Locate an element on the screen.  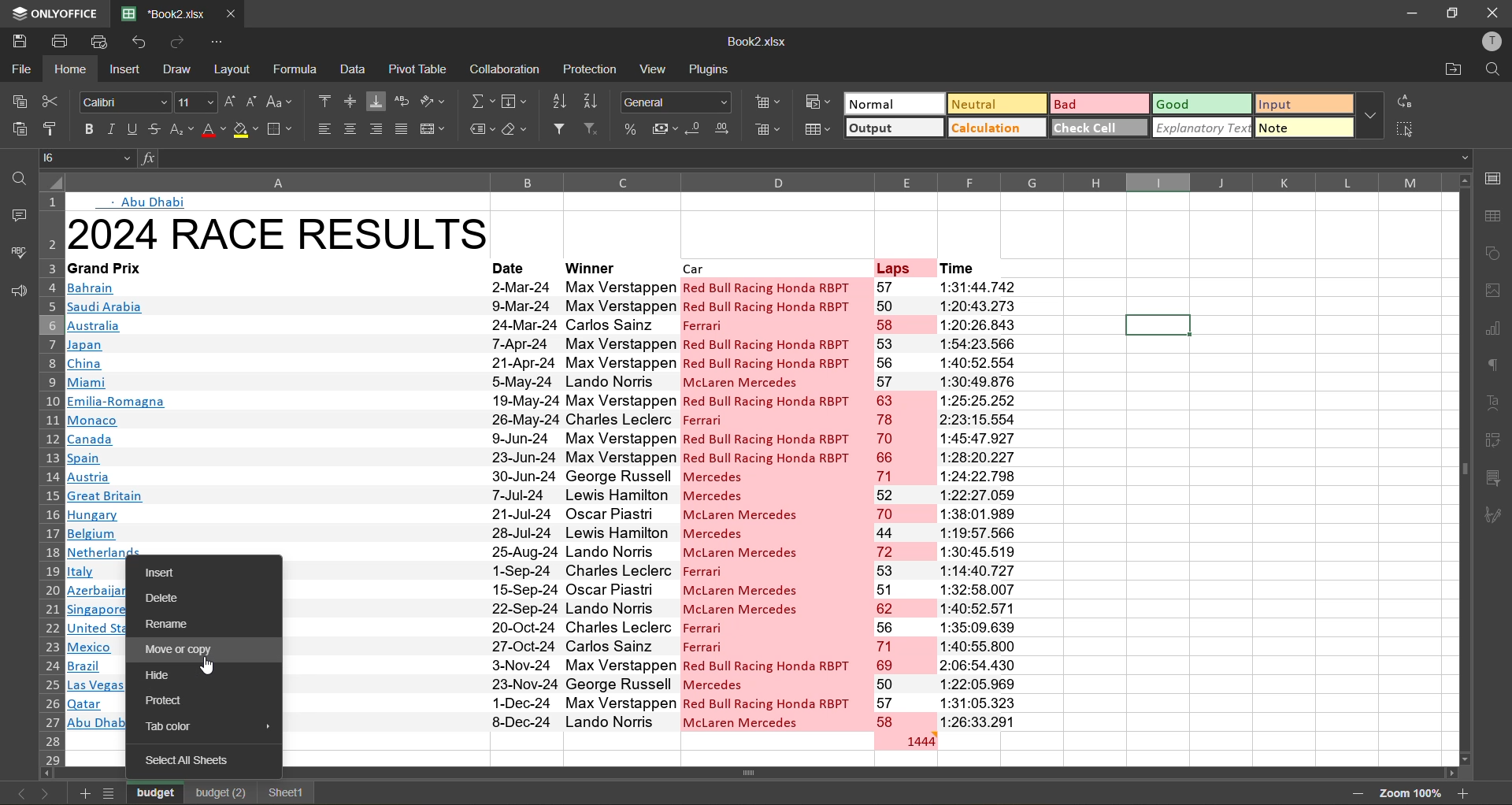
customize quick access toolbar is located at coordinates (217, 42).